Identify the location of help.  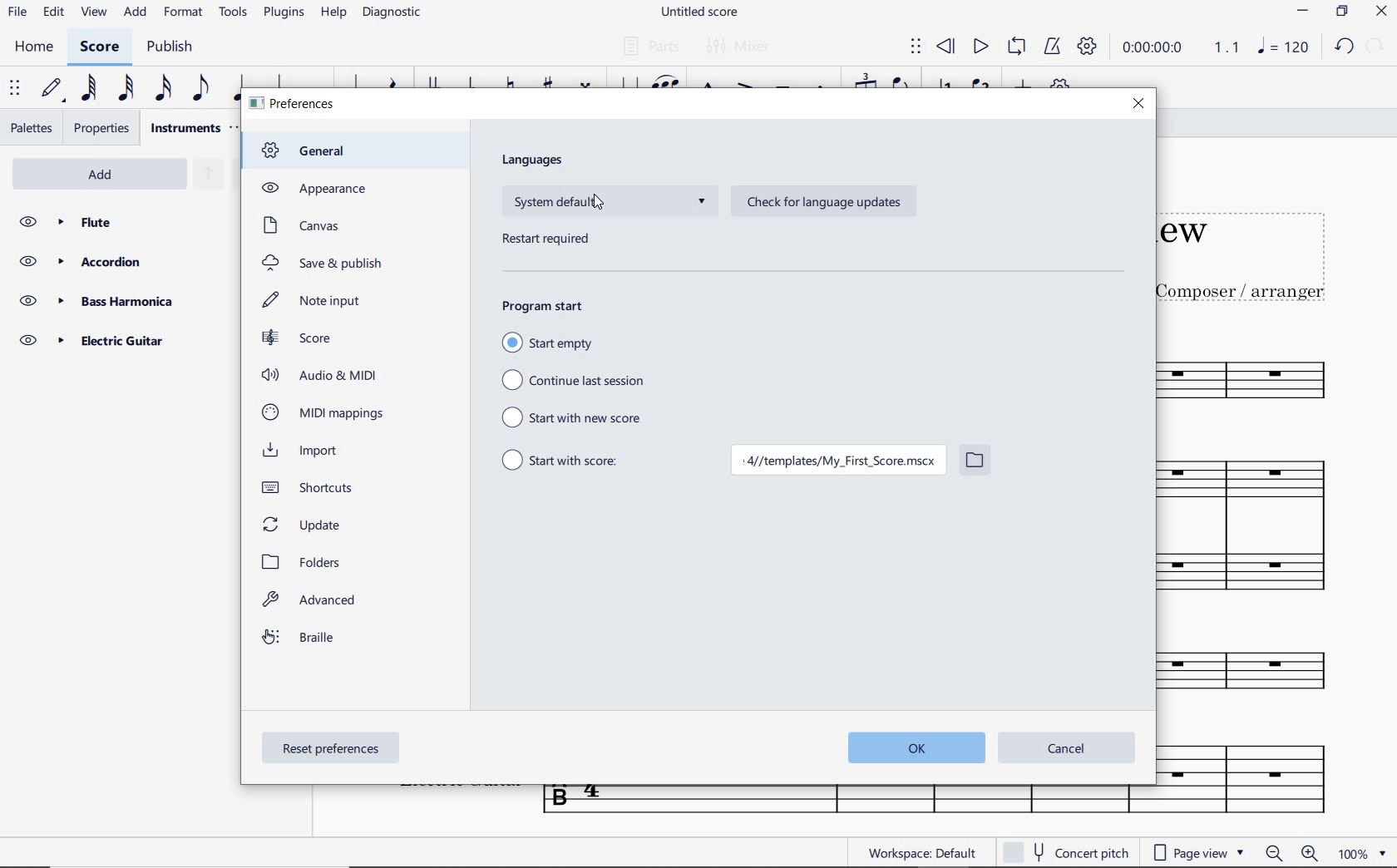
(333, 14).